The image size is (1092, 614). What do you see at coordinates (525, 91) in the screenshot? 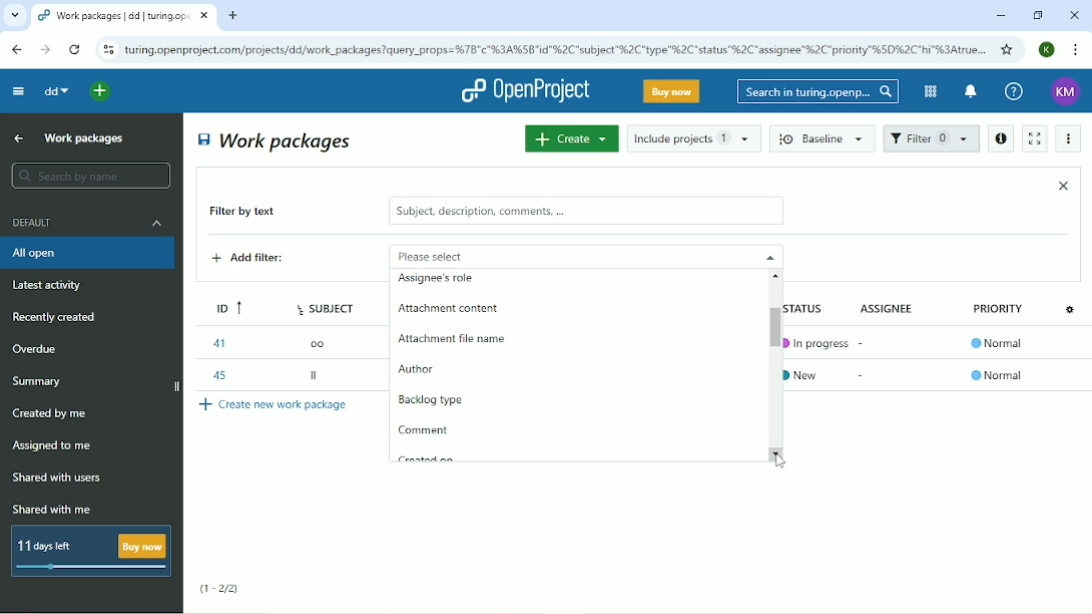
I see `OpenProject` at bounding box center [525, 91].